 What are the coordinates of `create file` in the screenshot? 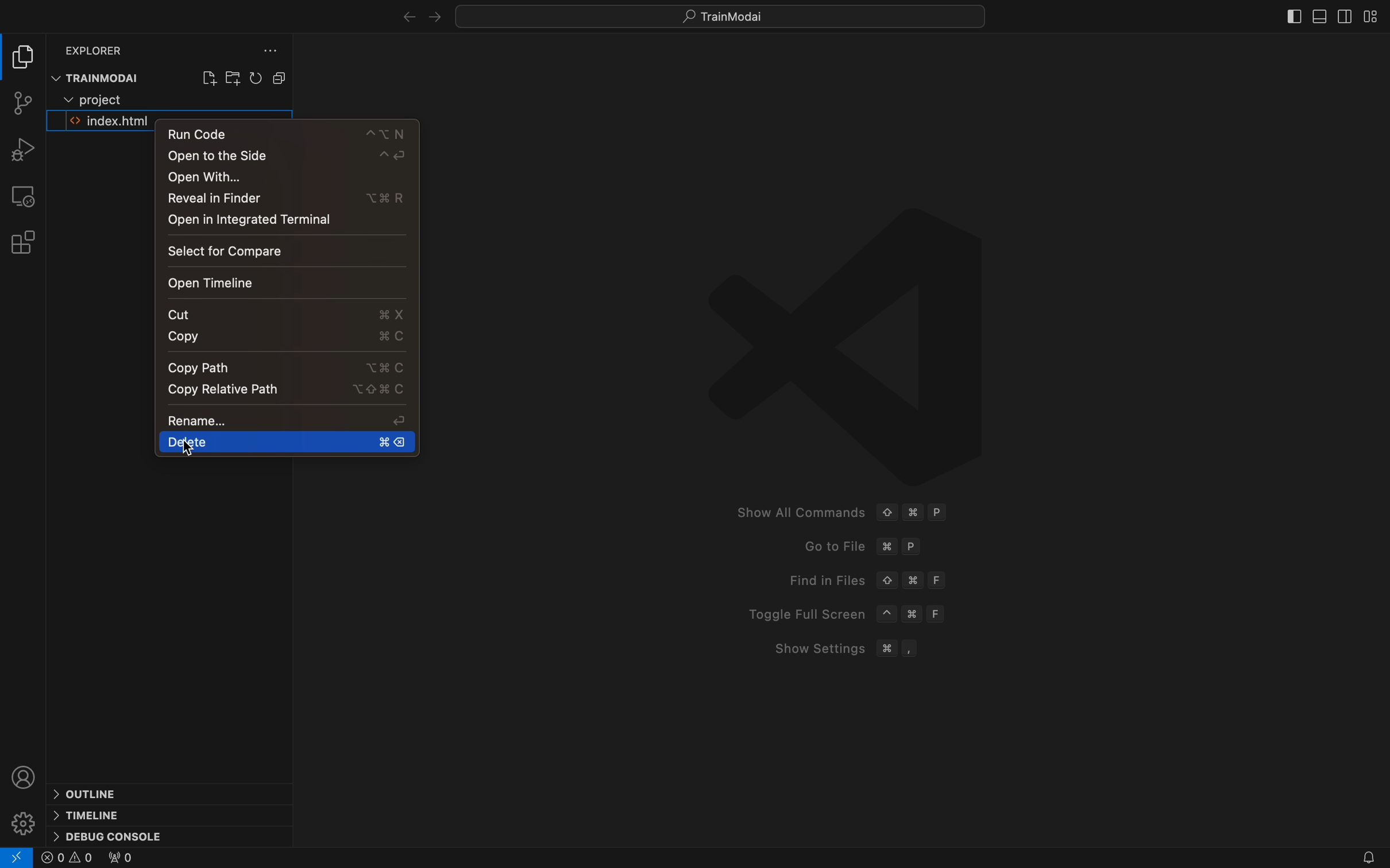 It's located at (207, 76).